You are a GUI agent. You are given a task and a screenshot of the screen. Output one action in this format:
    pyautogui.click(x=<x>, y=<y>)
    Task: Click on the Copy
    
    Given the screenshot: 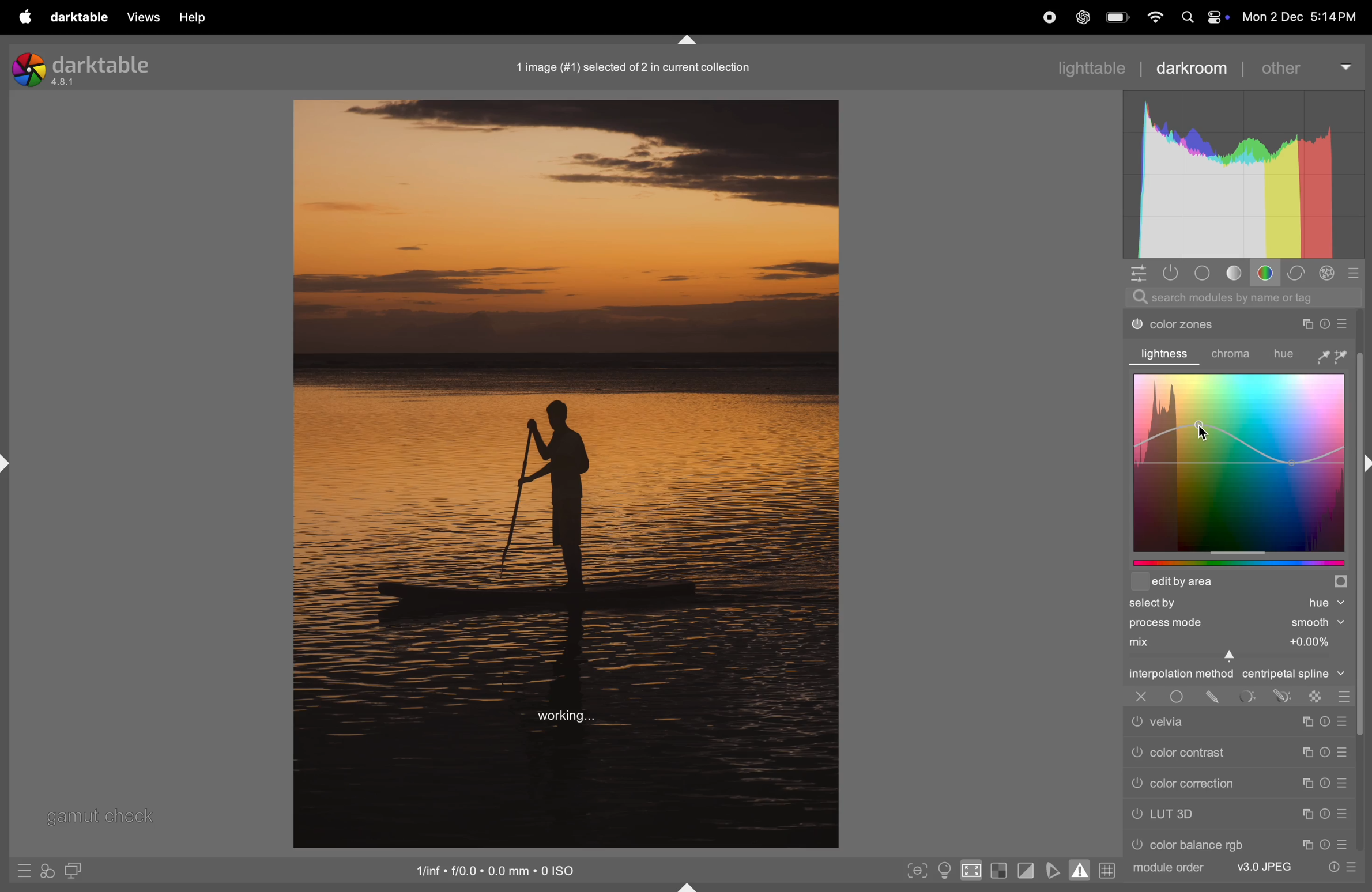 What is the action you would take?
    pyautogui.click(x=1303, y=324)
    